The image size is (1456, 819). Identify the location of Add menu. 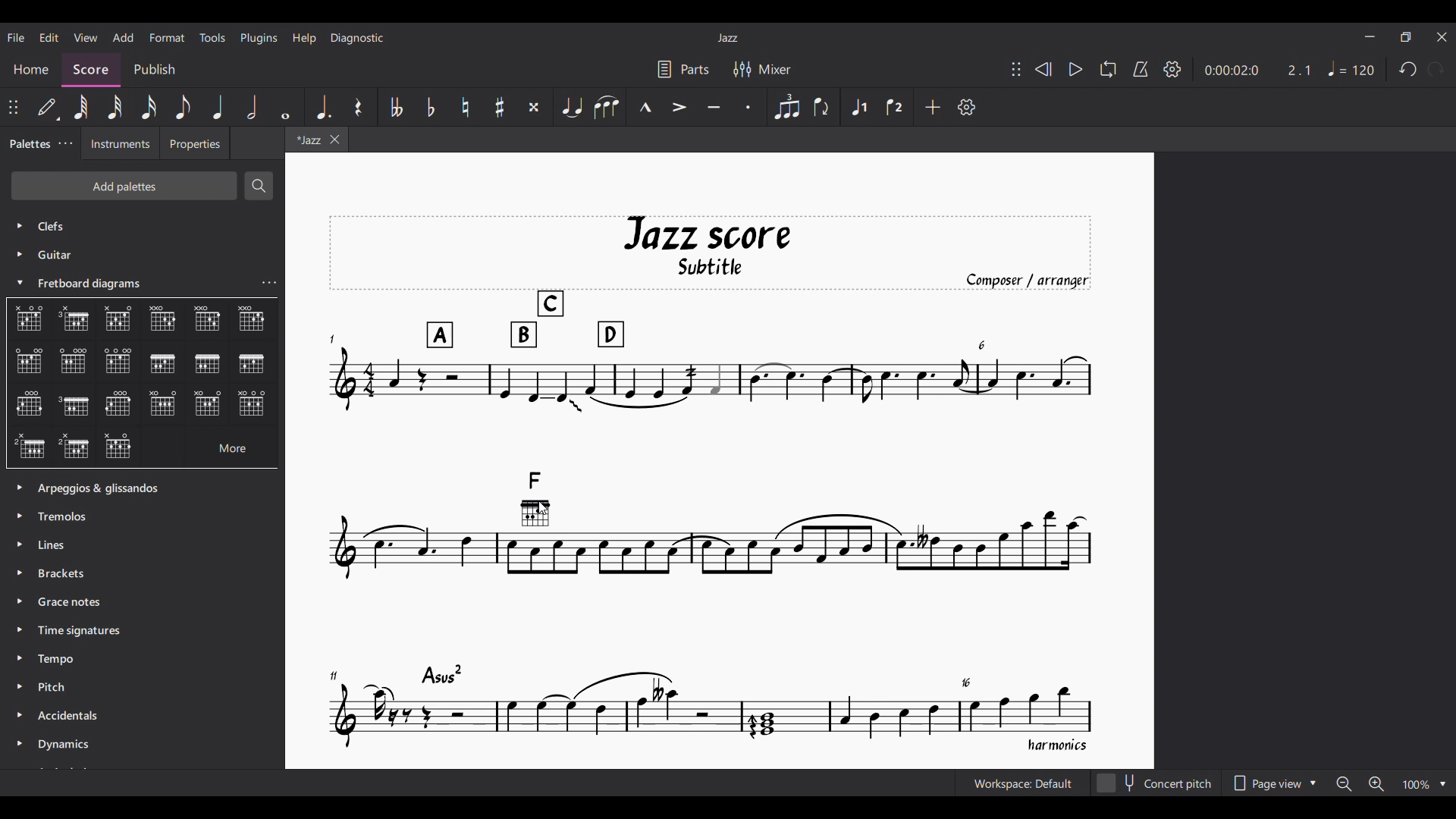
(124, 38).